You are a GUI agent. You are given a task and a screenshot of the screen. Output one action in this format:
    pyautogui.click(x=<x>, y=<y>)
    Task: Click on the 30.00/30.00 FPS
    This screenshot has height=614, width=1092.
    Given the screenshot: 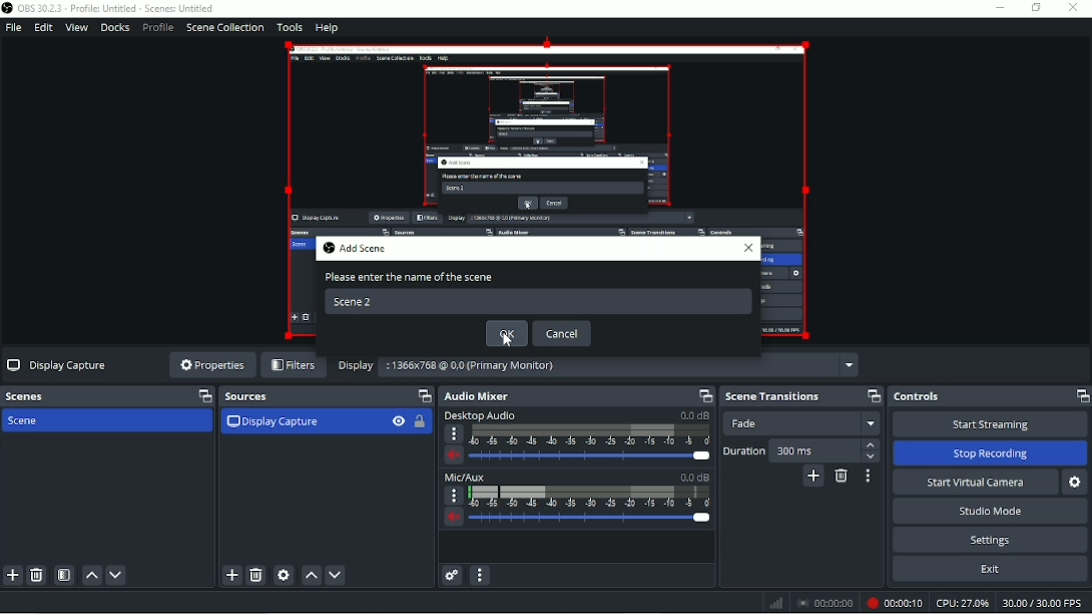 What is the action you would take?
    pyautogui.click(x=1045, y=604)
    